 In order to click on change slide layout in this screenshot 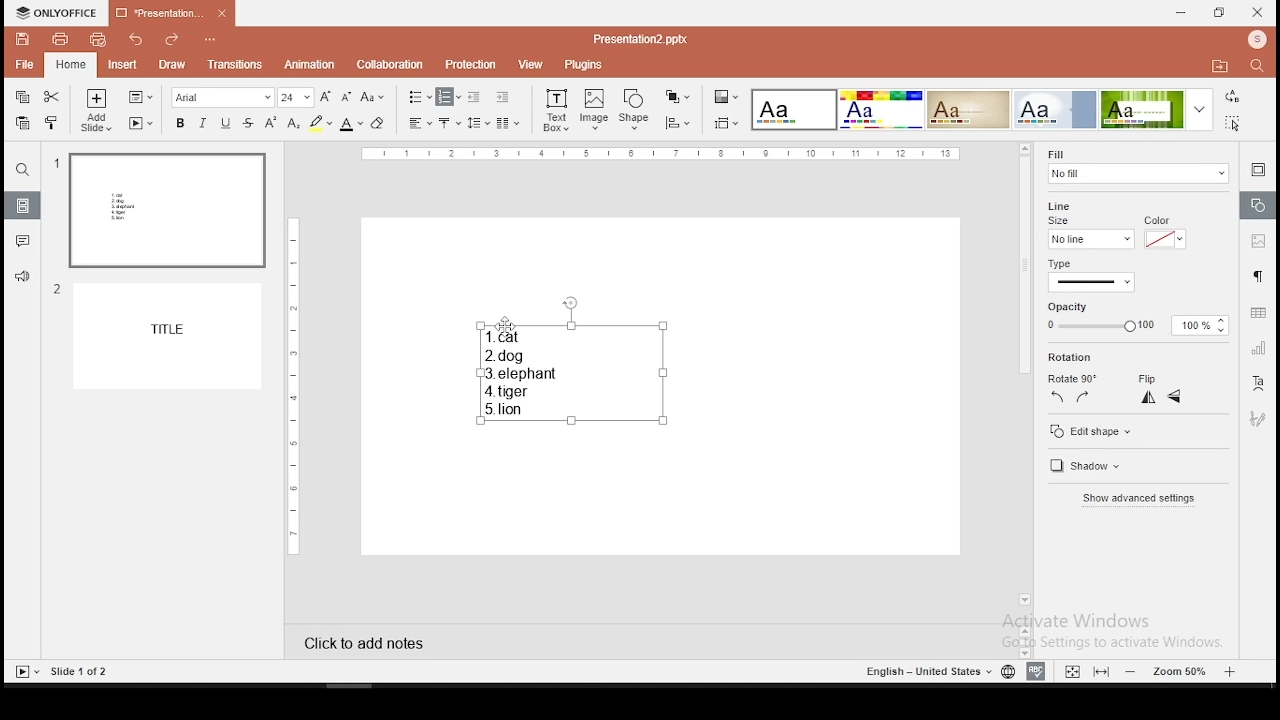, I will do `click(141, 97)`.